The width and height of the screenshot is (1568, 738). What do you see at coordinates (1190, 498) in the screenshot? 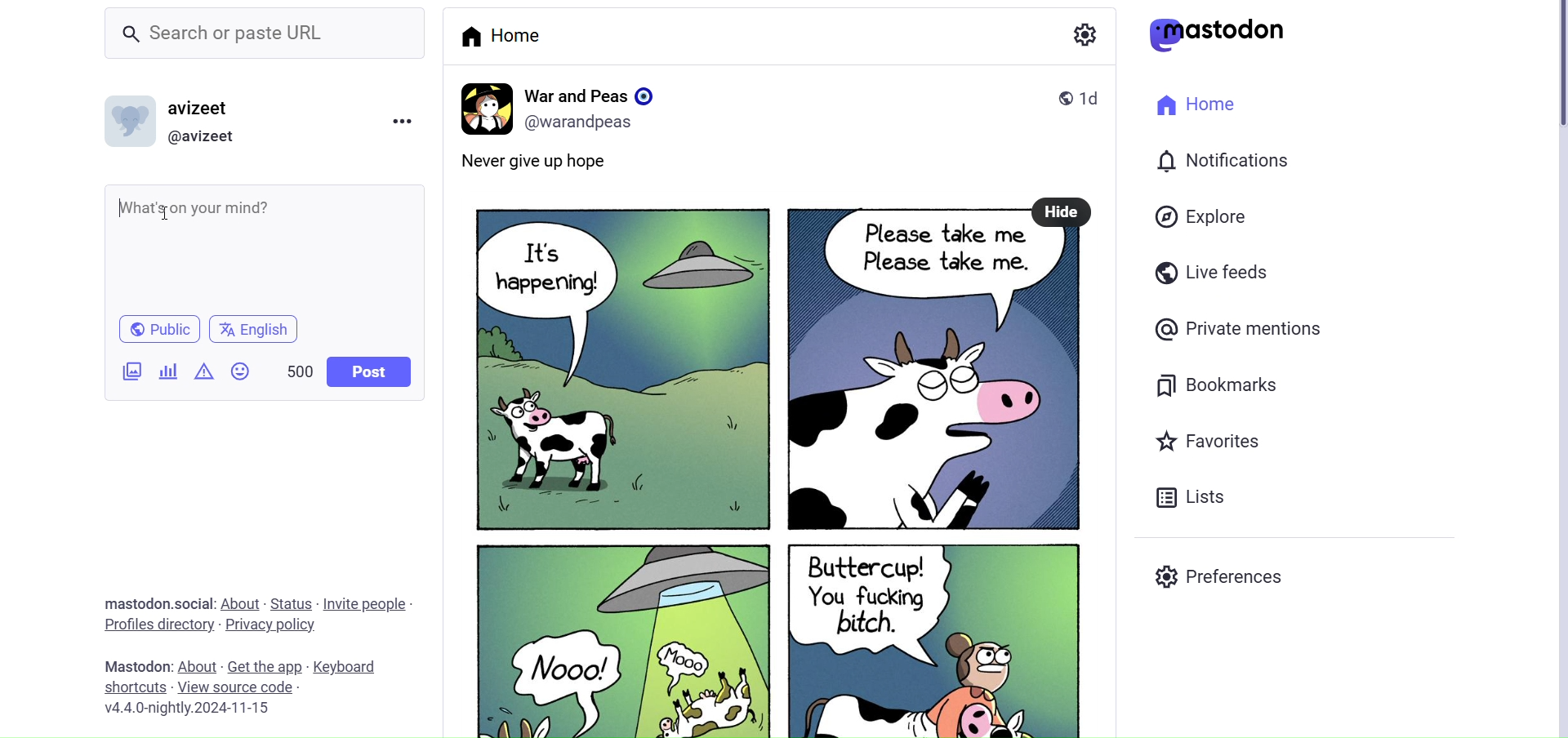
I see `Lists` at bounding box center [1190, 498].